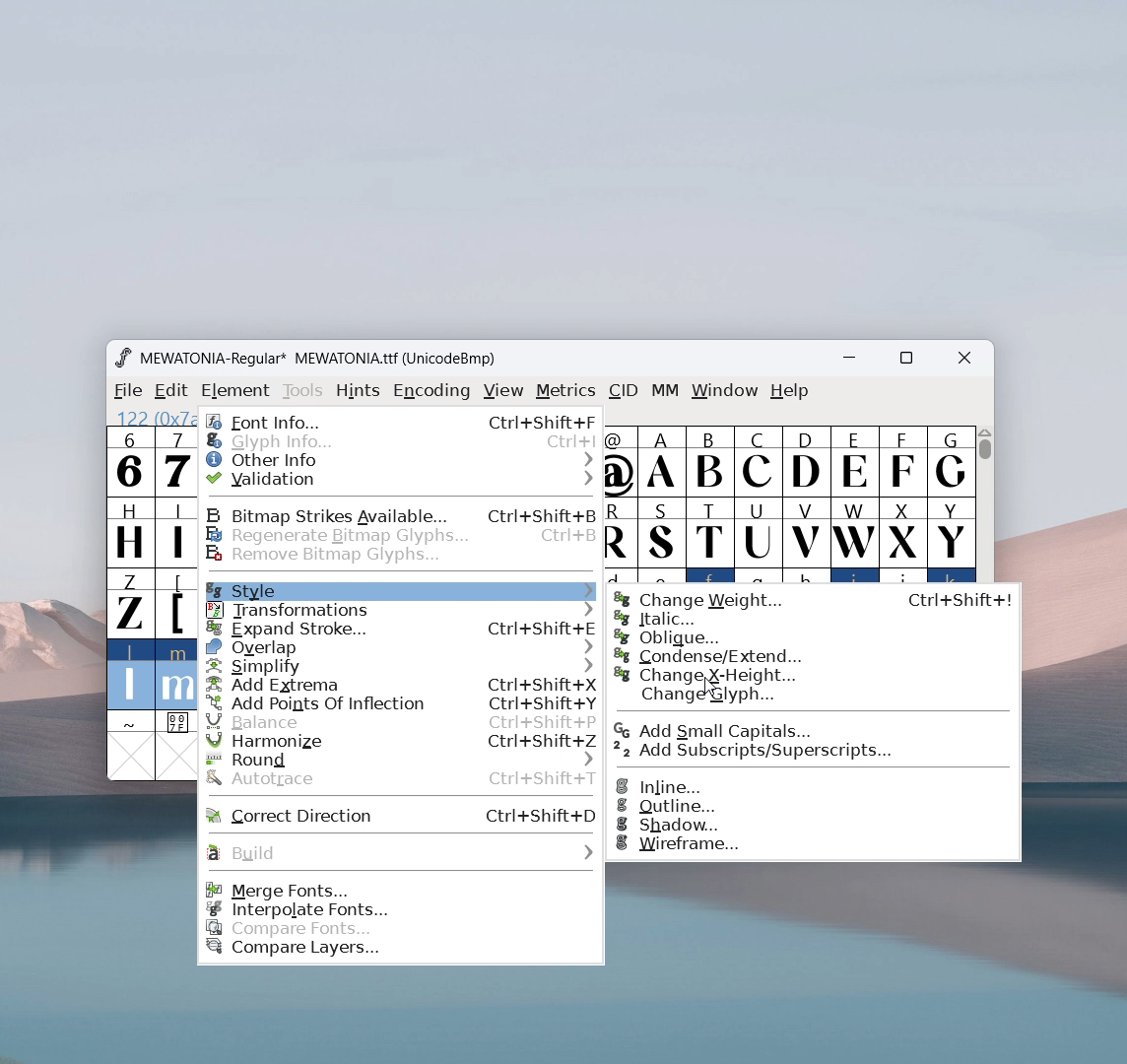 Image resolution: width=1127 pixels, height=1064 pixels. Describe the element at coordinates (952, 531) in the screenshot. I see `Y` at that location.